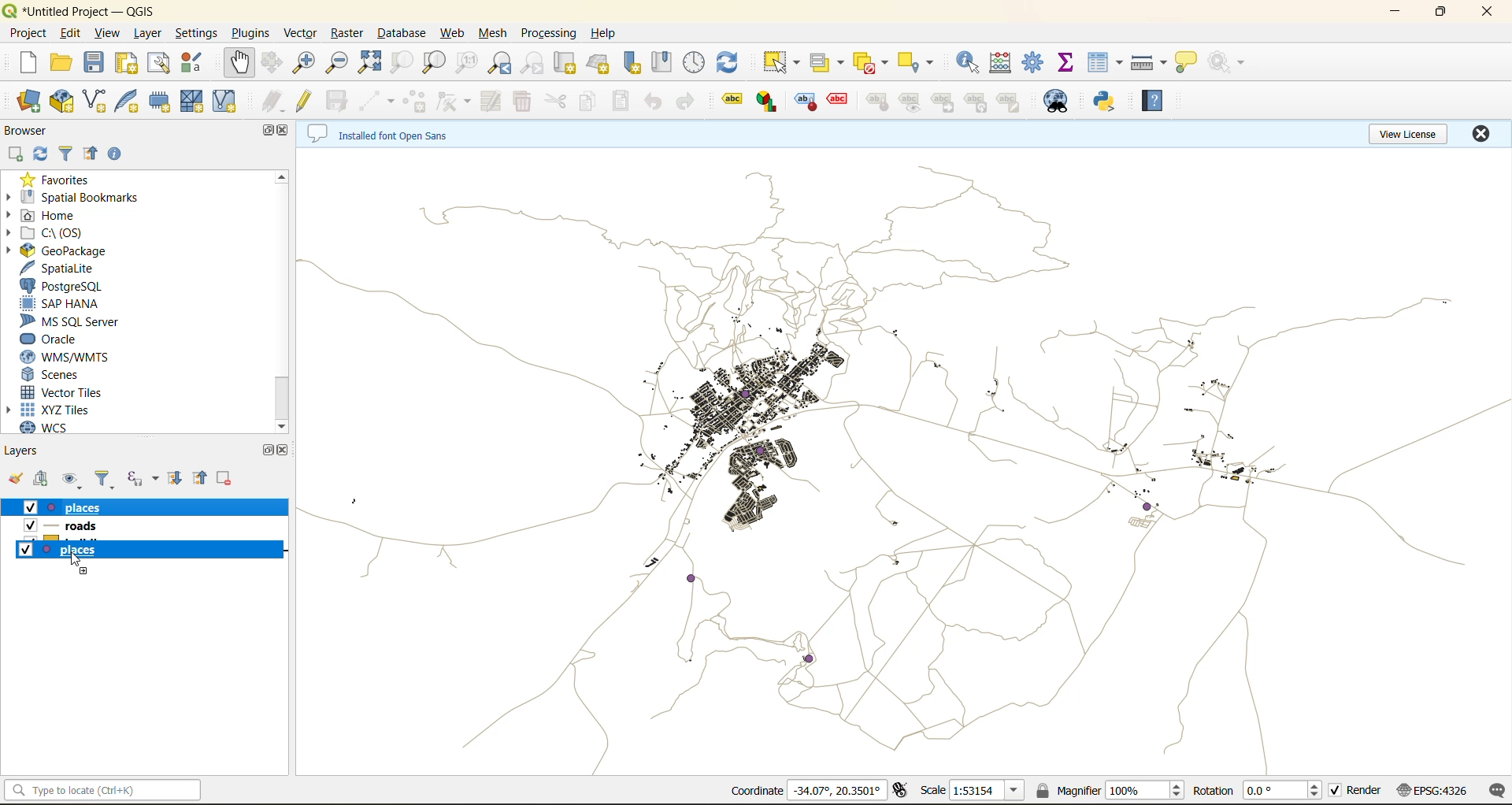 The image size is (1512, 805). What do you see at coordinates (40, 154) in the screenshot?
I see `refresh` at bounding box center [40, 154].